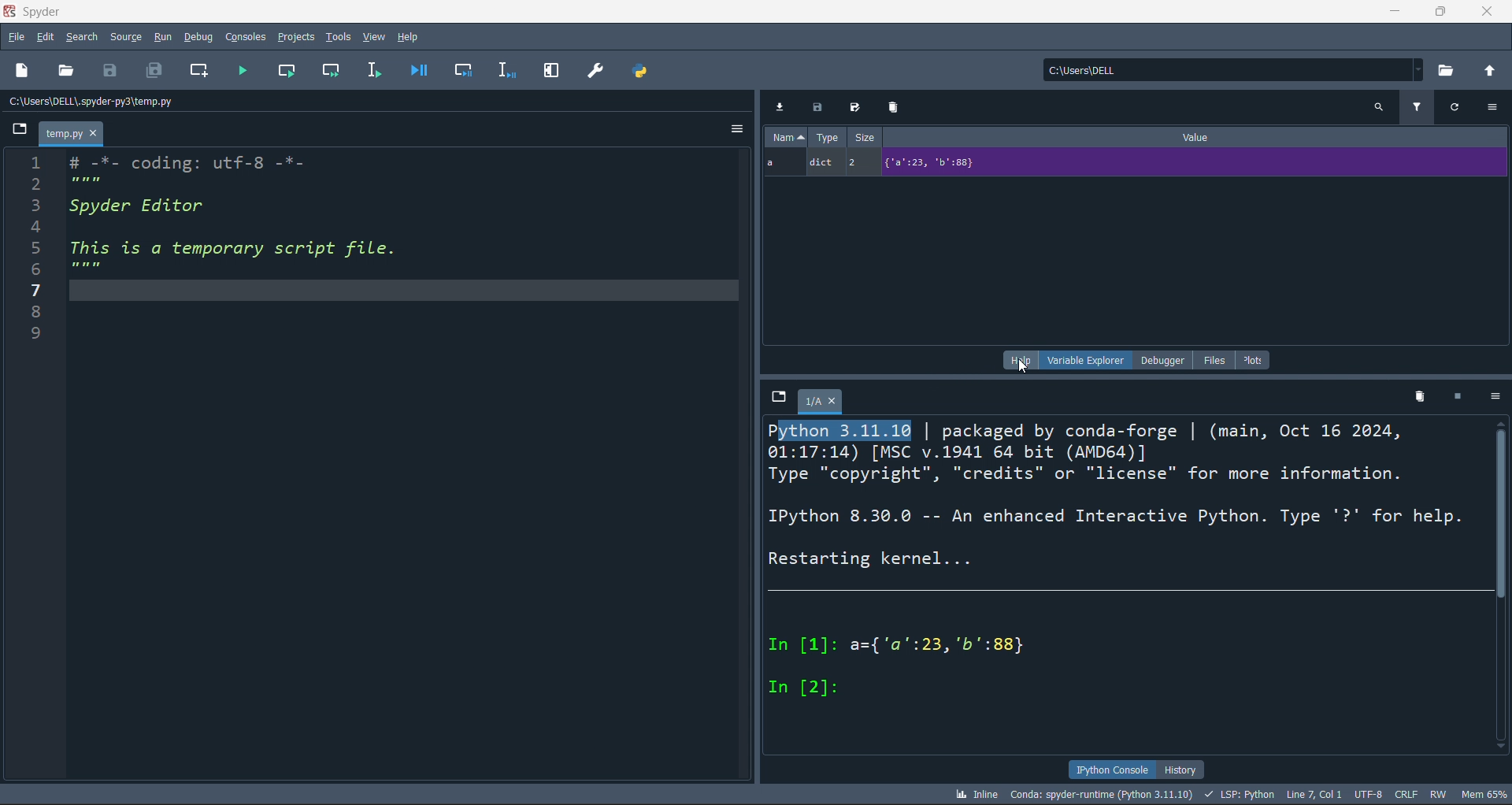 The image size is (1512, 805). What do you see at coordinates (1480, 795) in the screenshot?
I see `mem65%` at bounding box center [1480, 795].